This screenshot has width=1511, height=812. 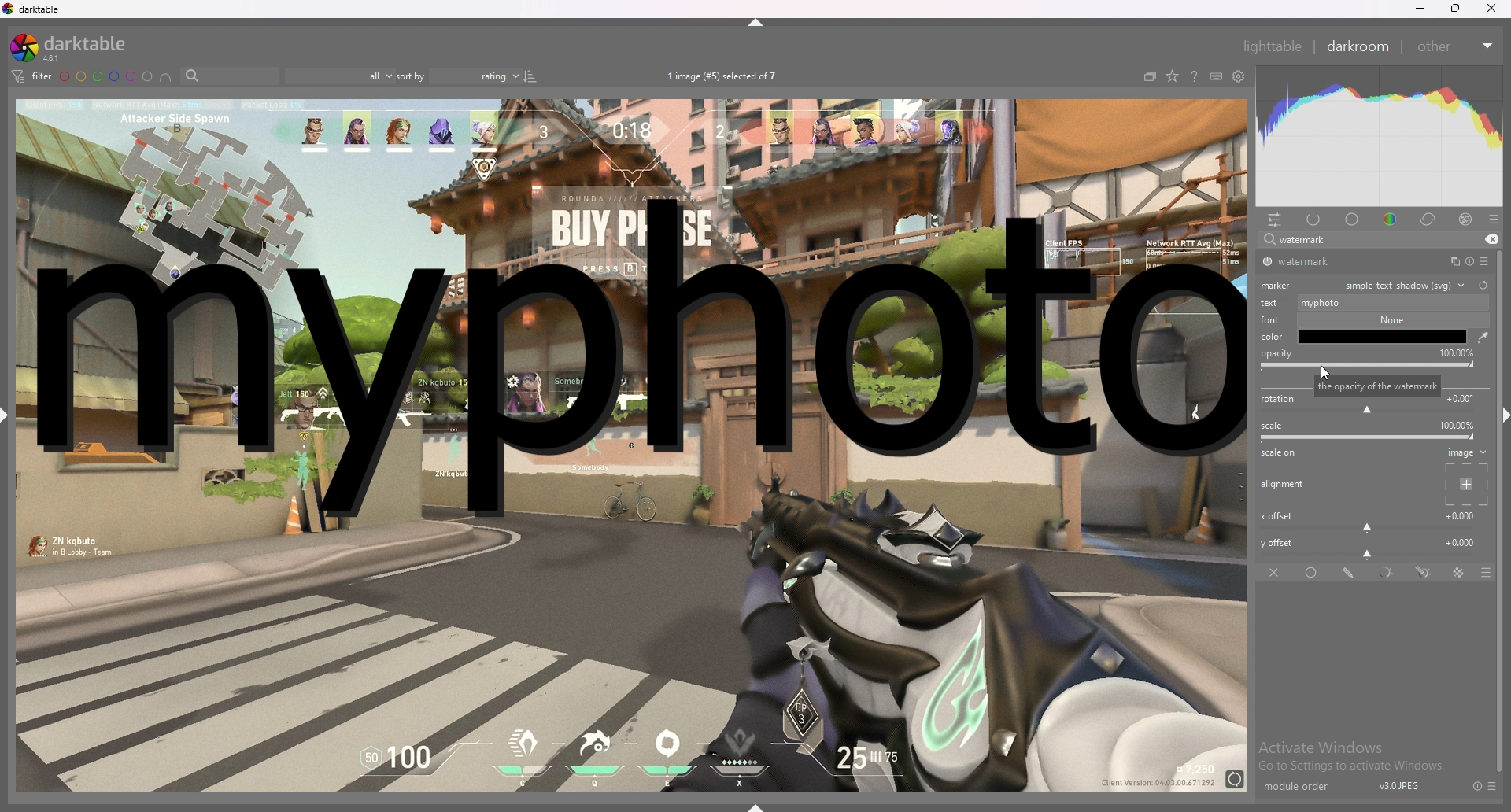 I want to click on scroll bar, so click(x=1502, y=600).